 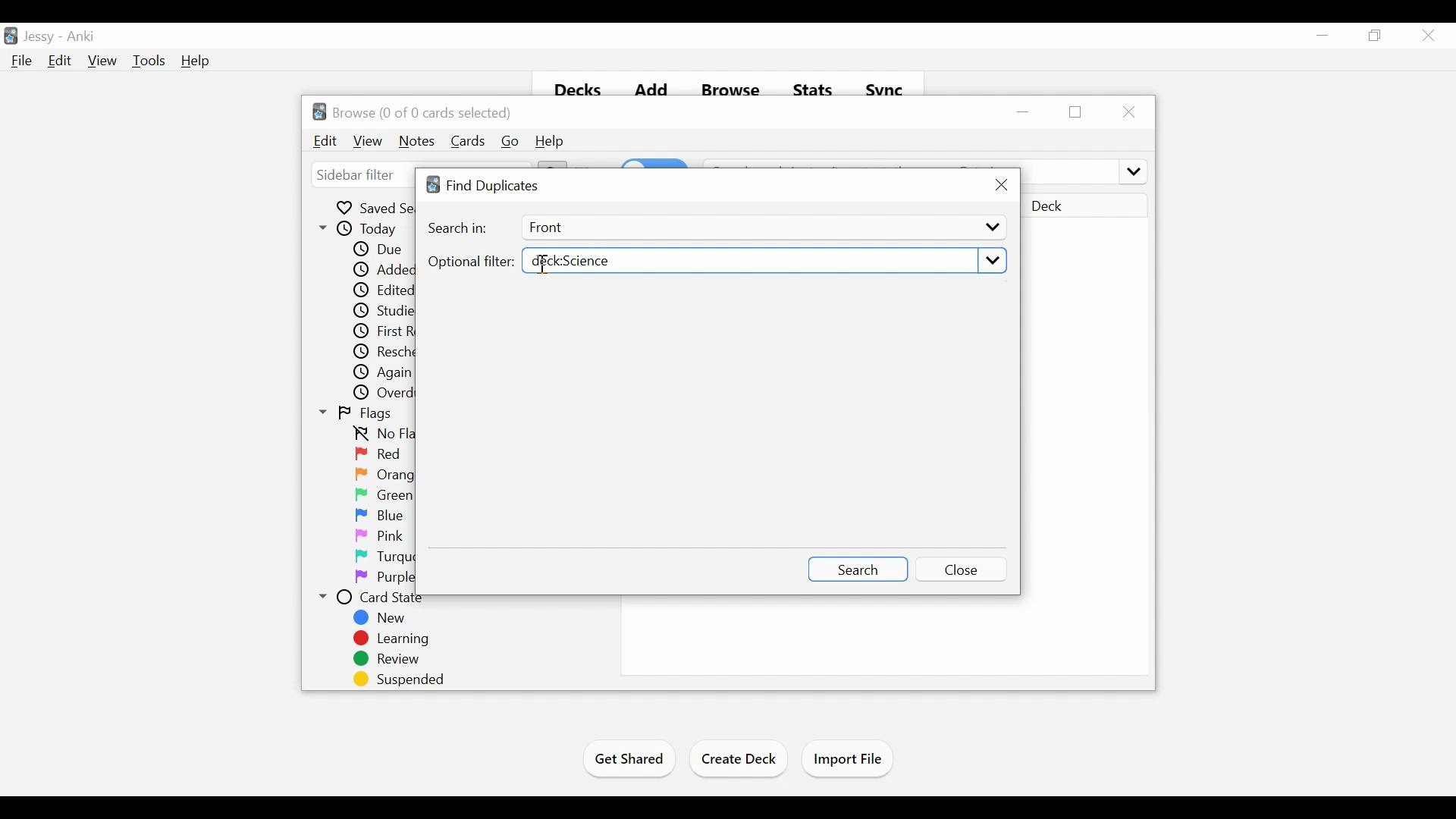 What do you see at coordinates (58, 60) in the screenshot?
I see `Edit` at bounding box center [58, 60].